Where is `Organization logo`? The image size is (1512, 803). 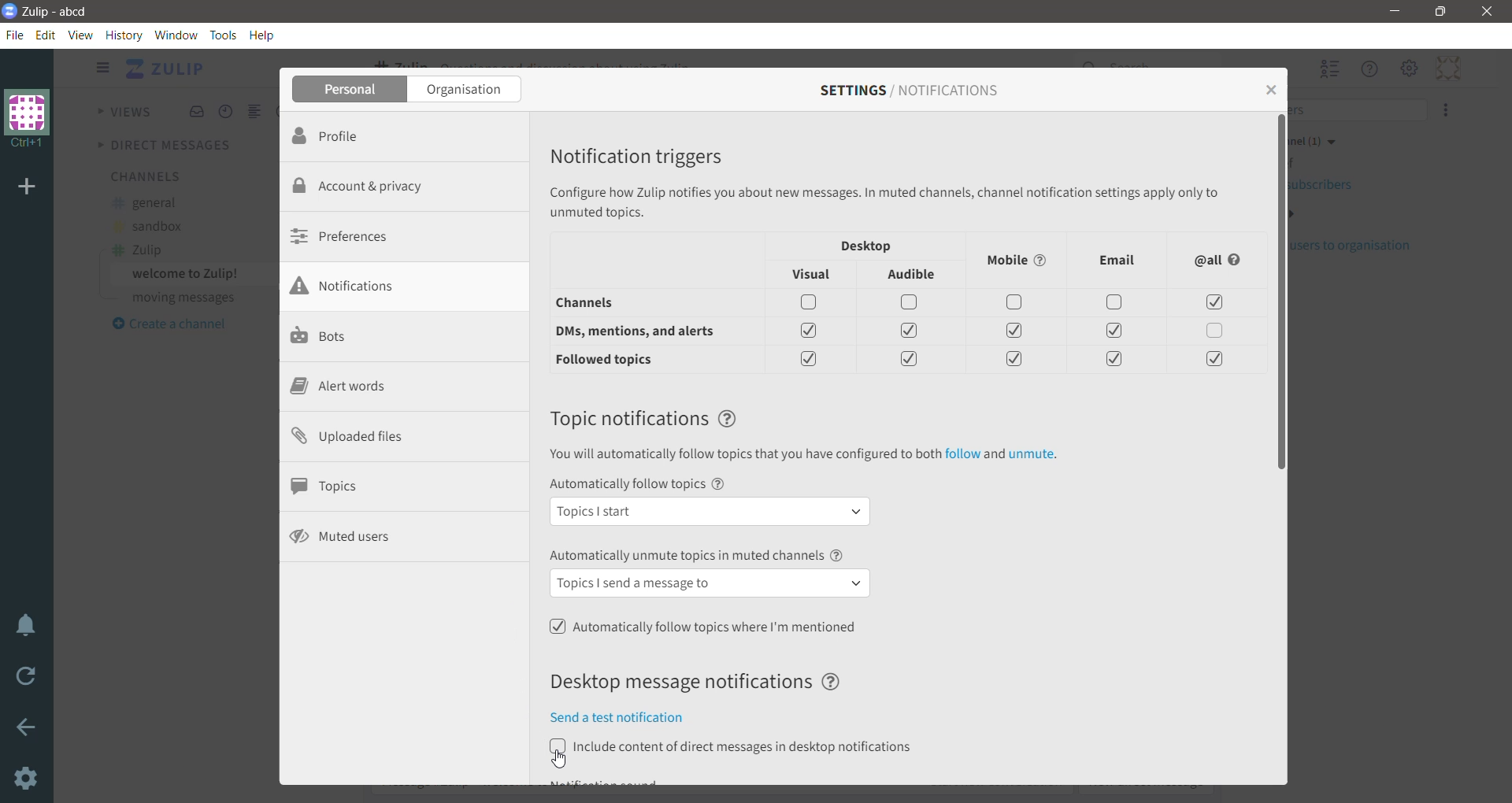 Organization logo is located at coordinates (28, 119).